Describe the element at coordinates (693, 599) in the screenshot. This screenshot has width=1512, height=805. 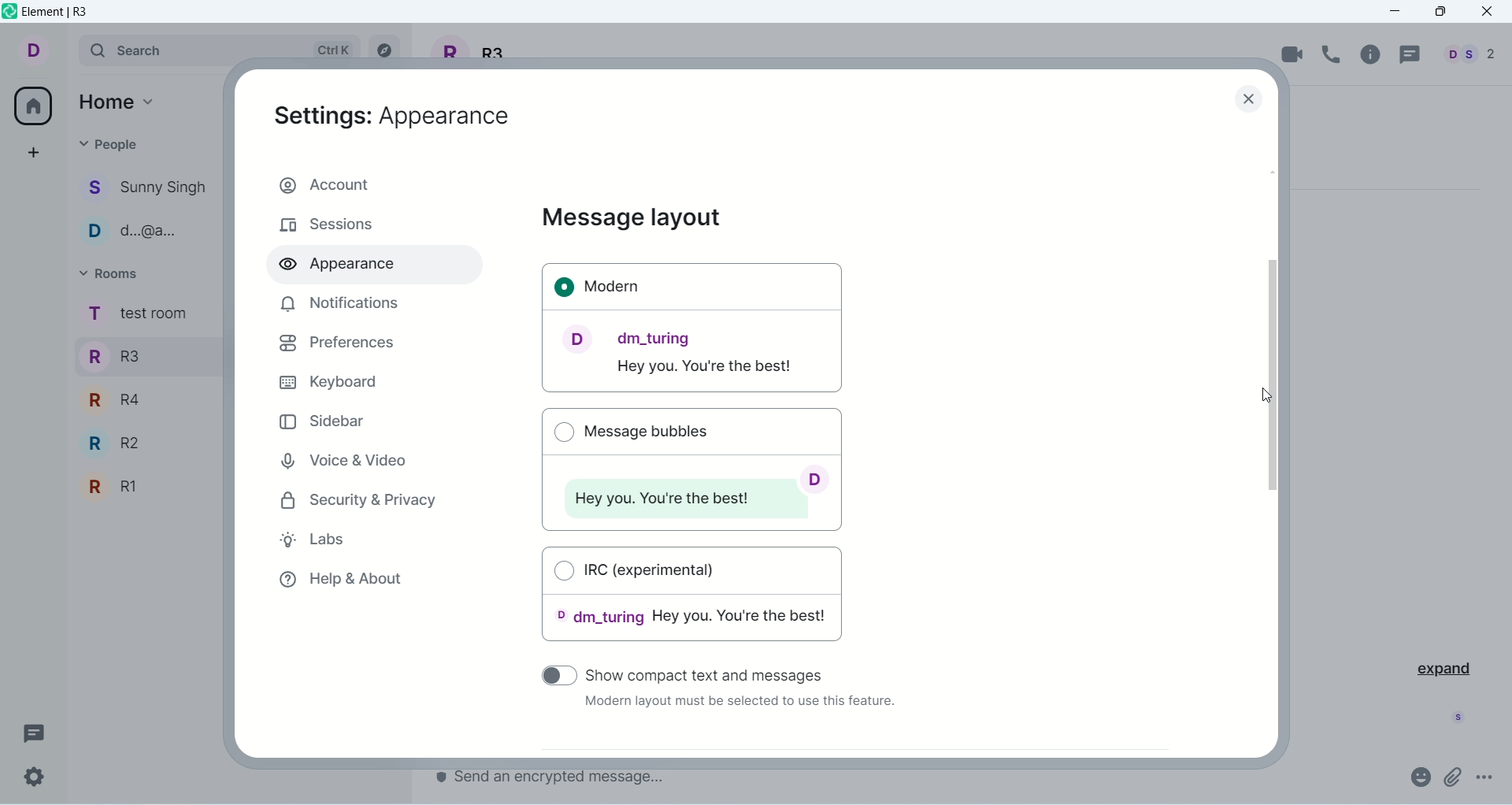
I see `IRC (experimental0` at that location.